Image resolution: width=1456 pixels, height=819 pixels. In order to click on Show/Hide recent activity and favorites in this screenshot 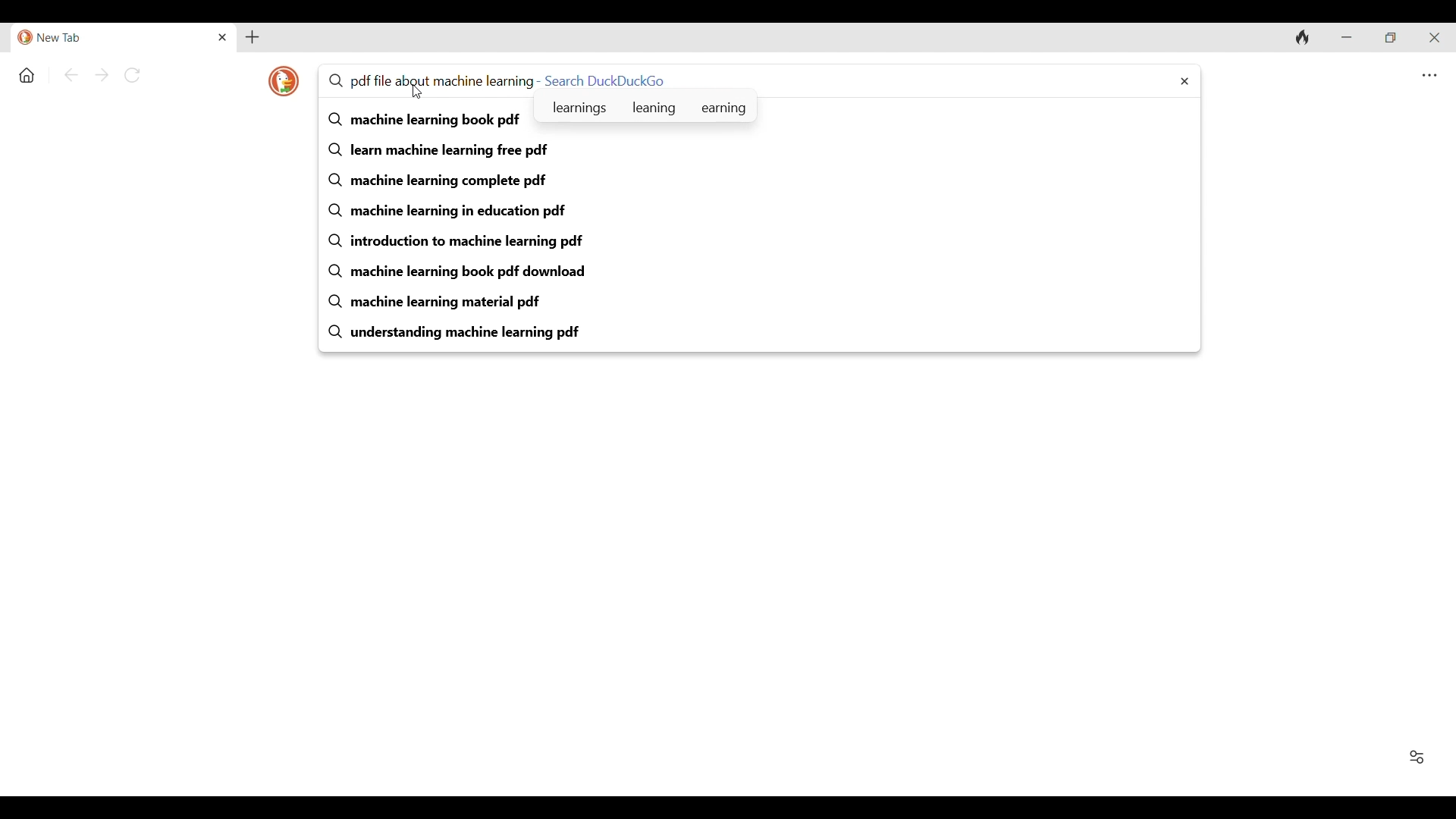, I will do `click(1417, 757)`.